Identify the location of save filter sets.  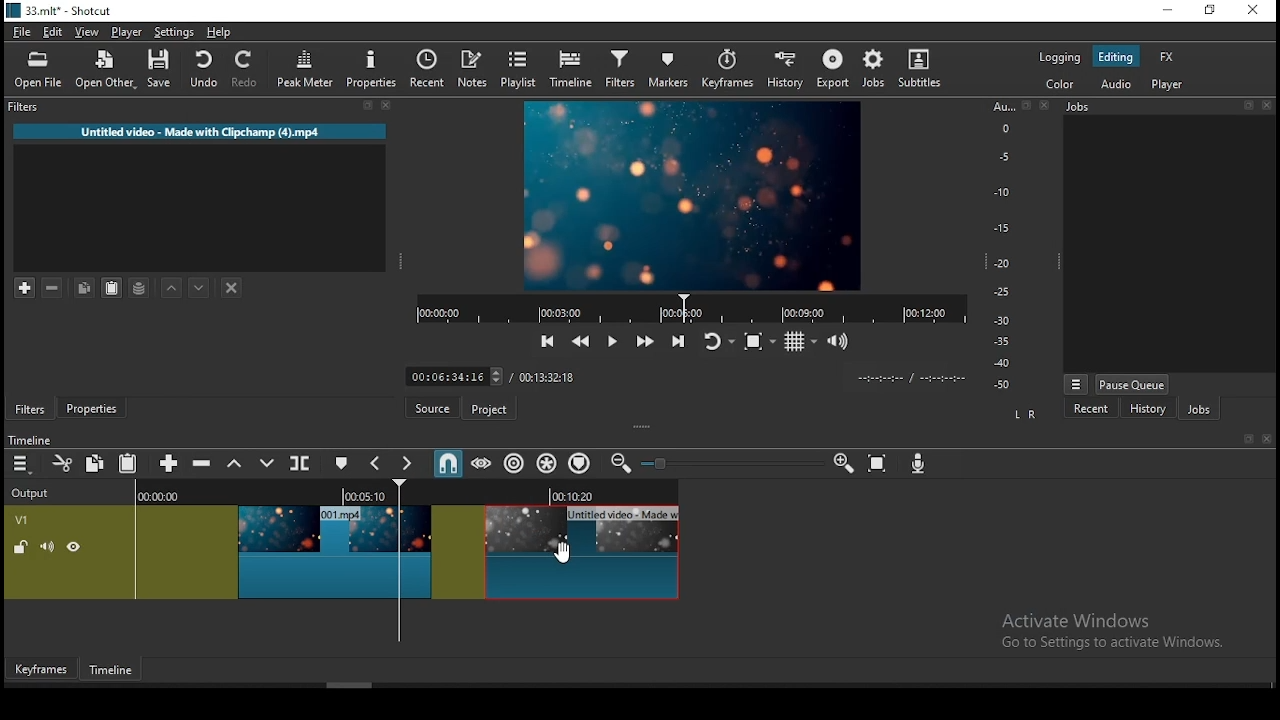
(143, 286).